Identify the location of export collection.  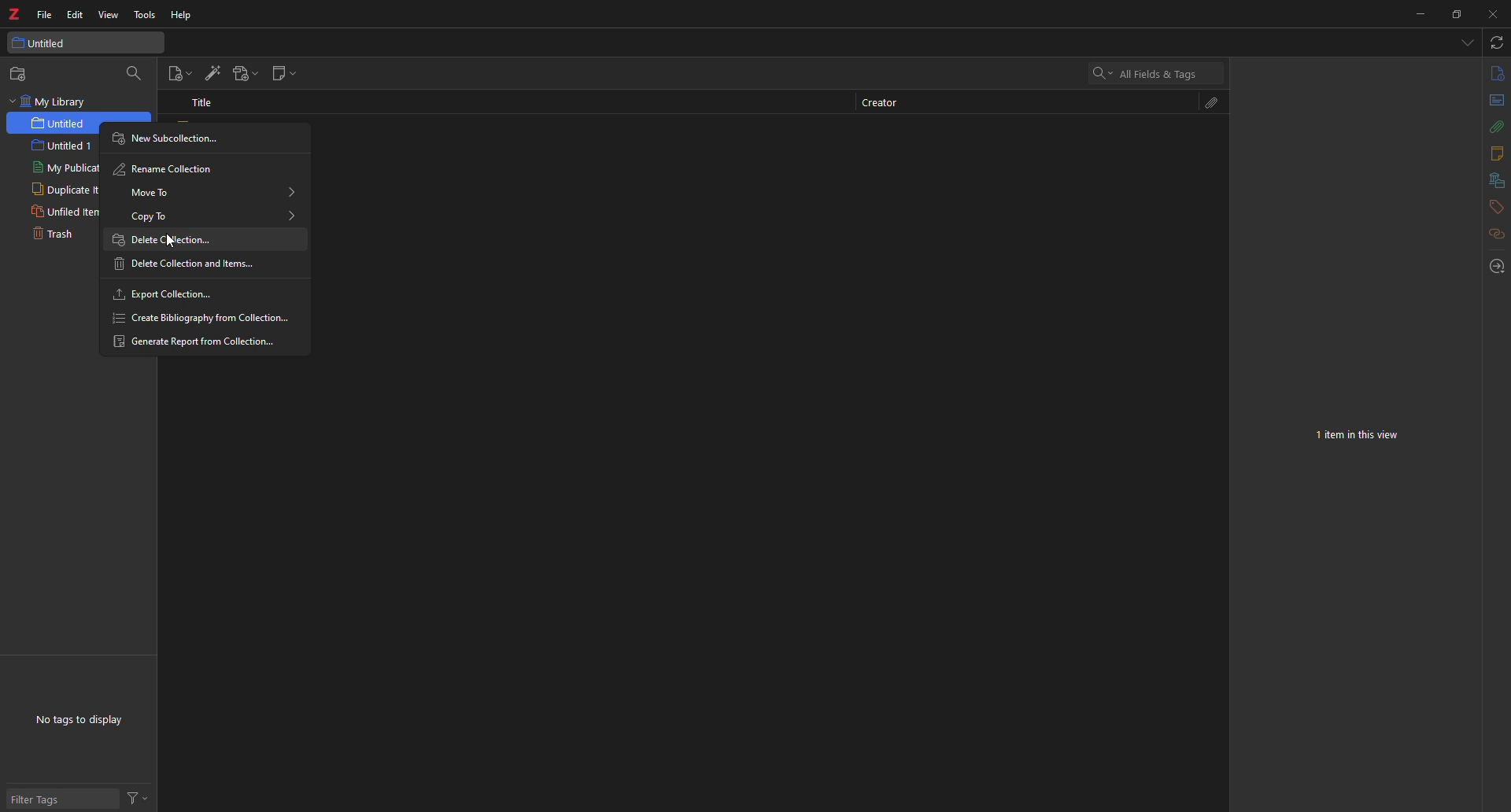
(156, 294).